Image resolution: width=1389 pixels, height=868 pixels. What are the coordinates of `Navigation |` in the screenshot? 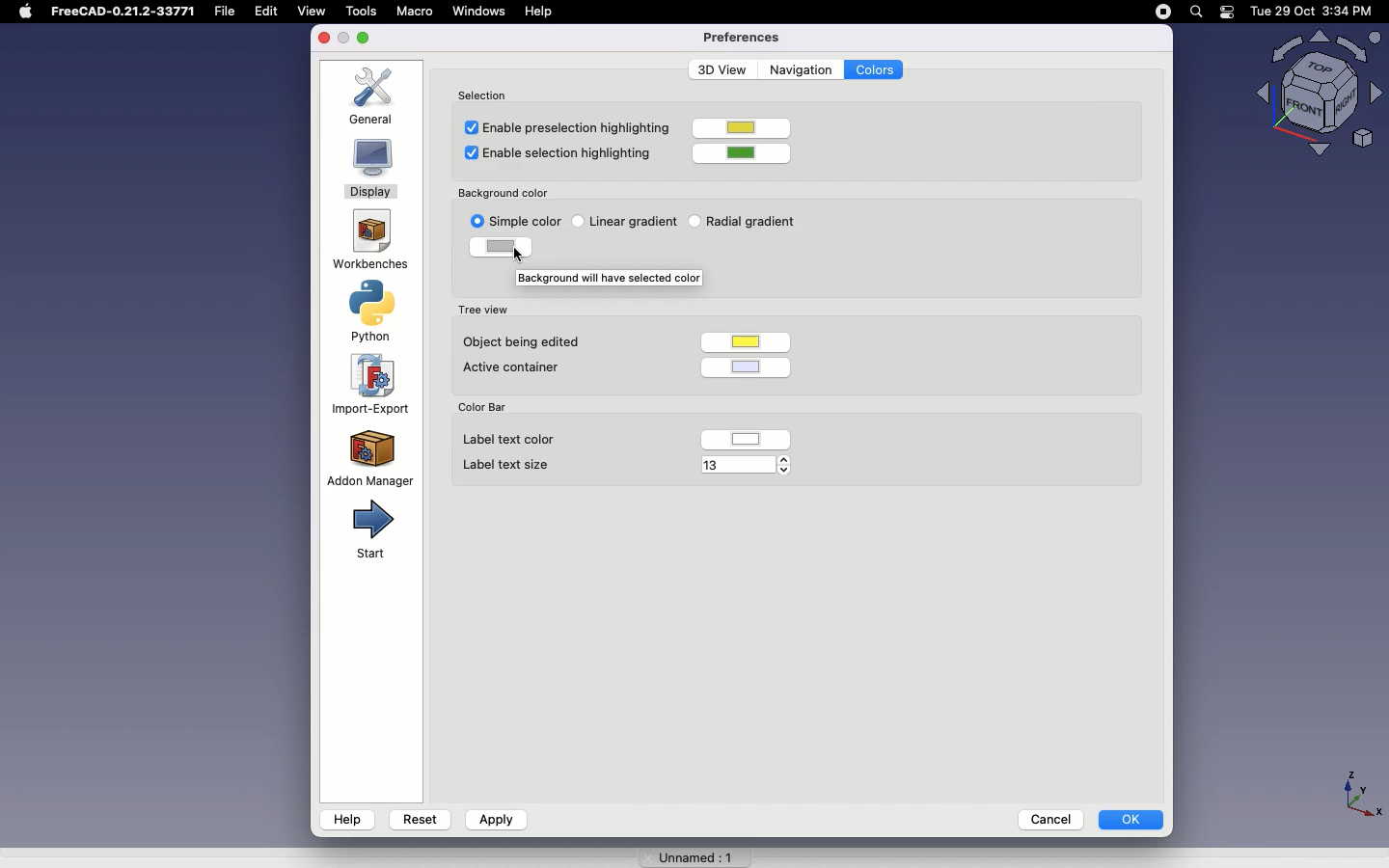 It's located at (799, 68).